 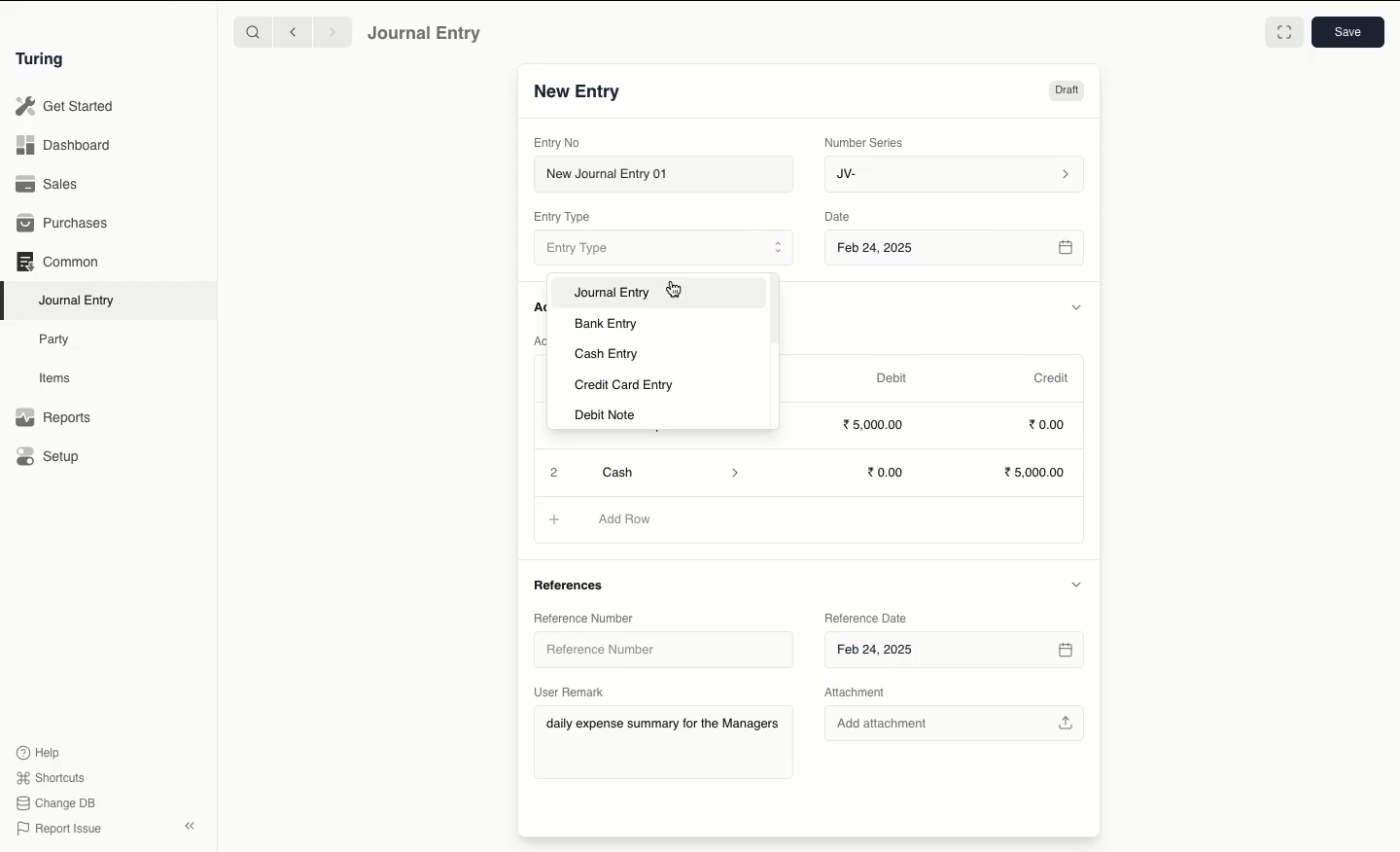 I want to click on Setup, so click(x=49, y=455).